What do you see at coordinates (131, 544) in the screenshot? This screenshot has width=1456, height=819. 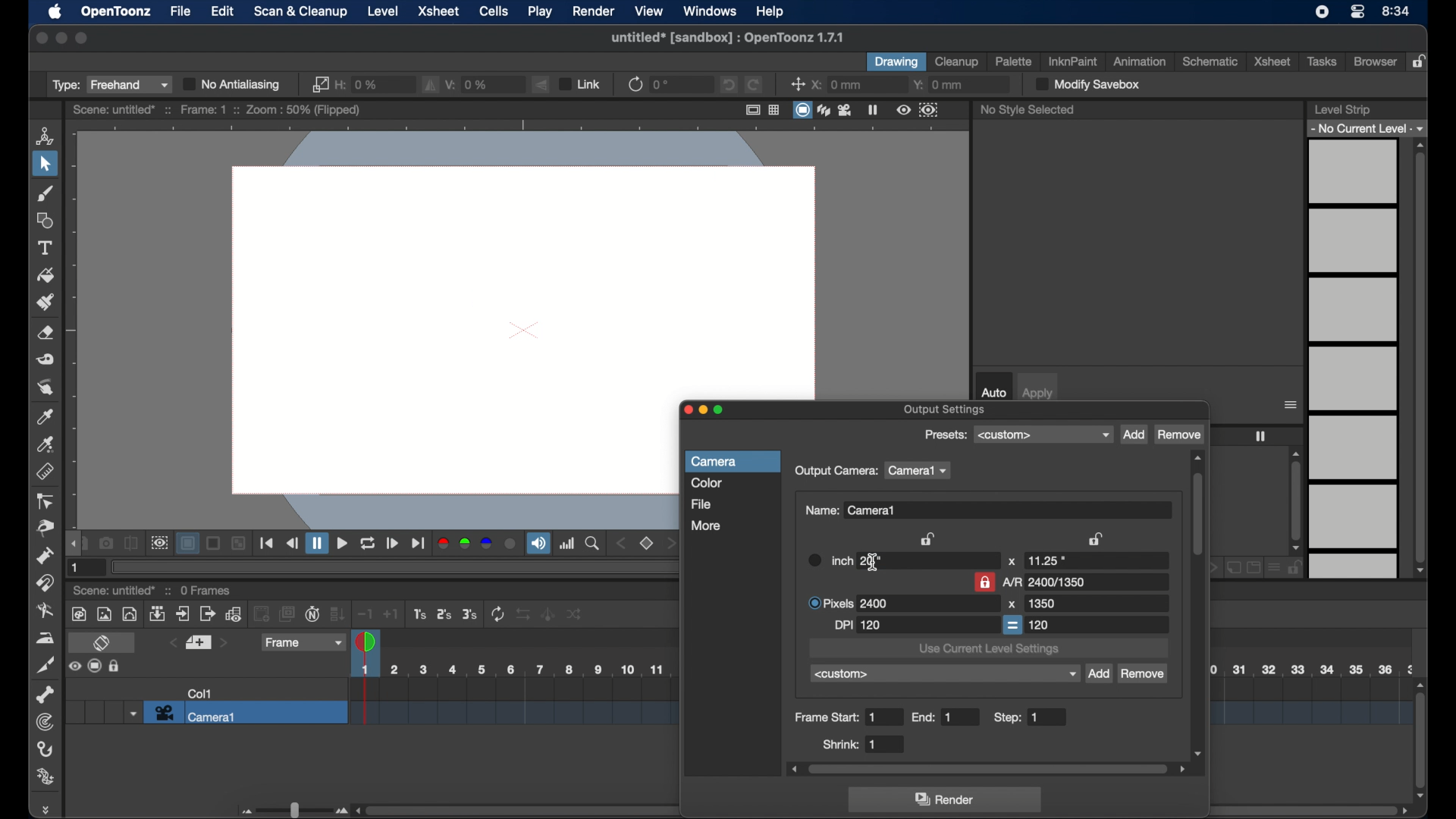 I see `compare to  snapshot` at bounding box center [131, 544].